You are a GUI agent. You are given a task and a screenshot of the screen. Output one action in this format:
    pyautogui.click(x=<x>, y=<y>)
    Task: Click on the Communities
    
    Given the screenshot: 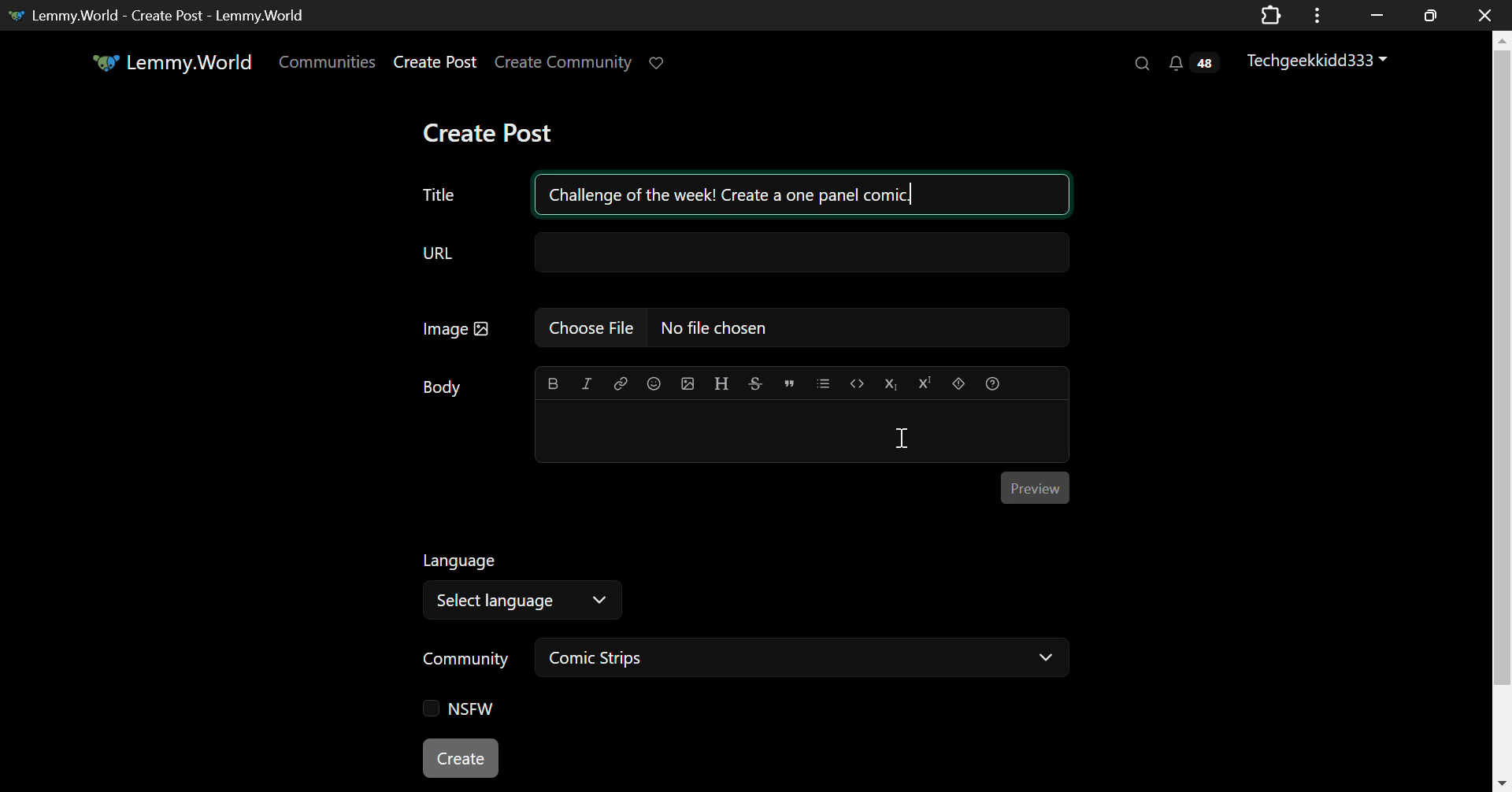 What is the action you would take?
    pyautogui.click(x=326, y=63)
    